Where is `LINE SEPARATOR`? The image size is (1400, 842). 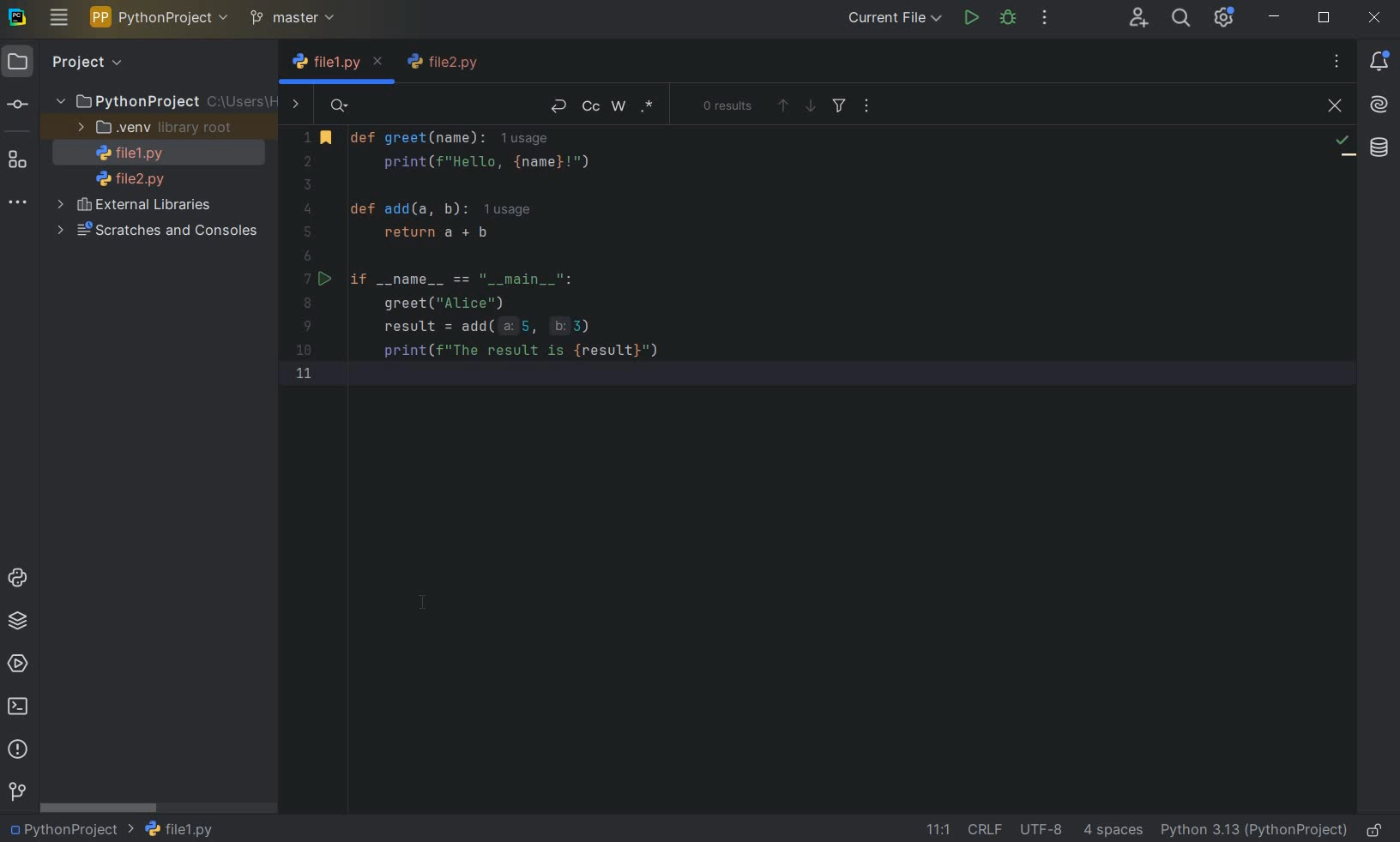
LINE SEPARATOR is located at coordinates (984, 828).